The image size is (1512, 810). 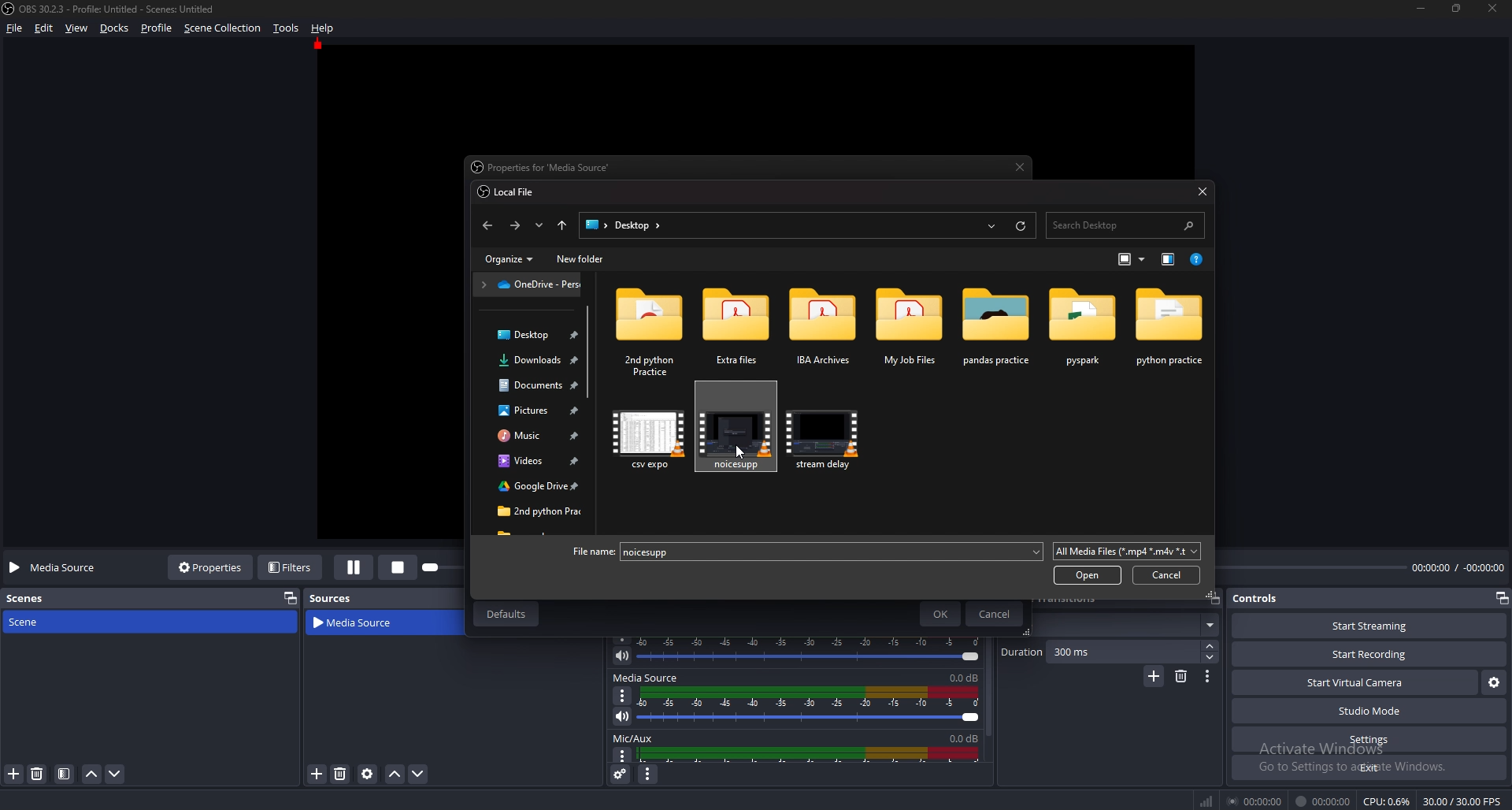 What do you see at coordinates (1462, 801) in the screenshot?
I see `30.00 / 30.00 FPS` at bounding box center [1462, 801].